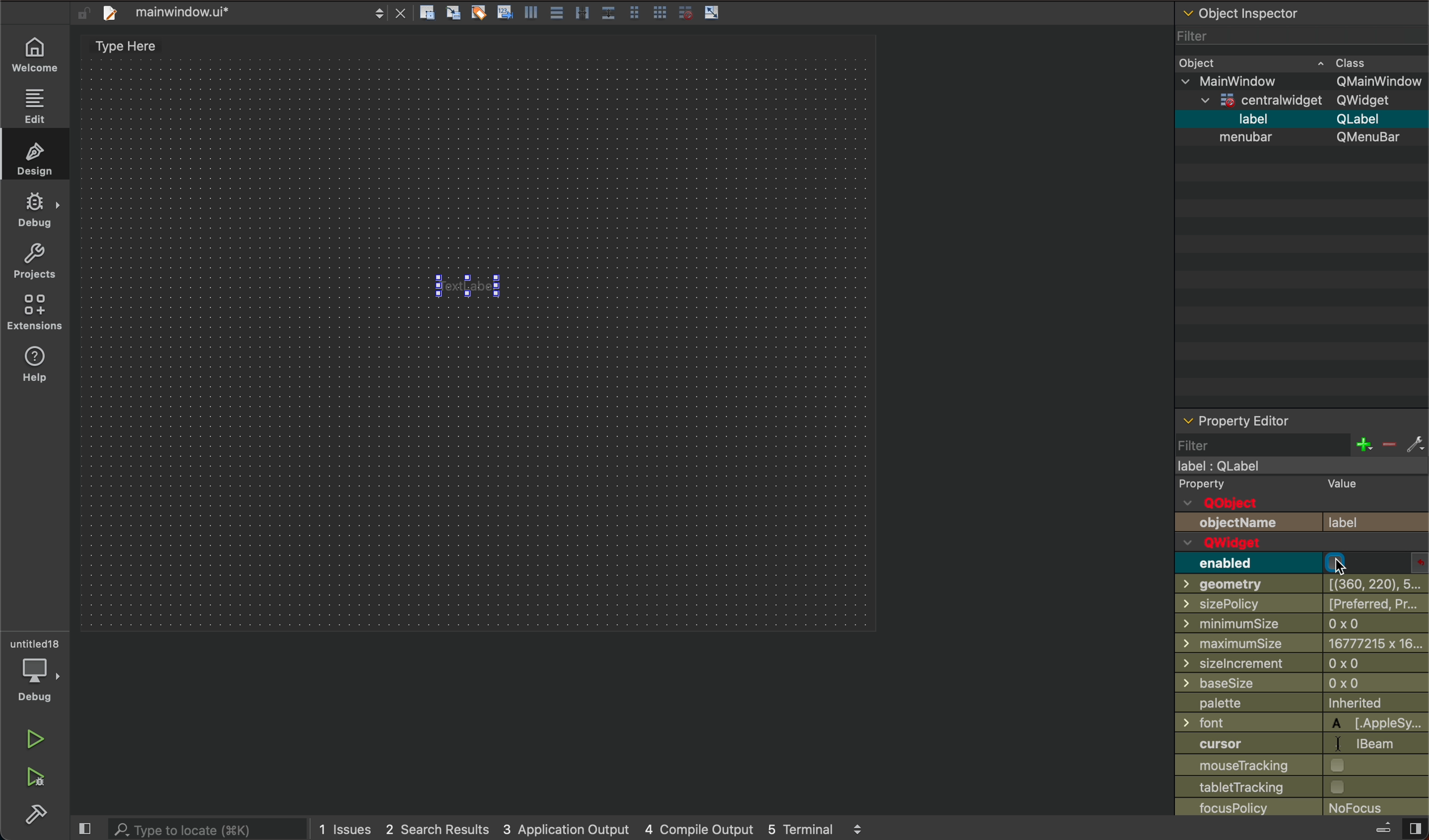  Describe the element at coordinates (37, 159) in the screenshot. I see `design` at that location.